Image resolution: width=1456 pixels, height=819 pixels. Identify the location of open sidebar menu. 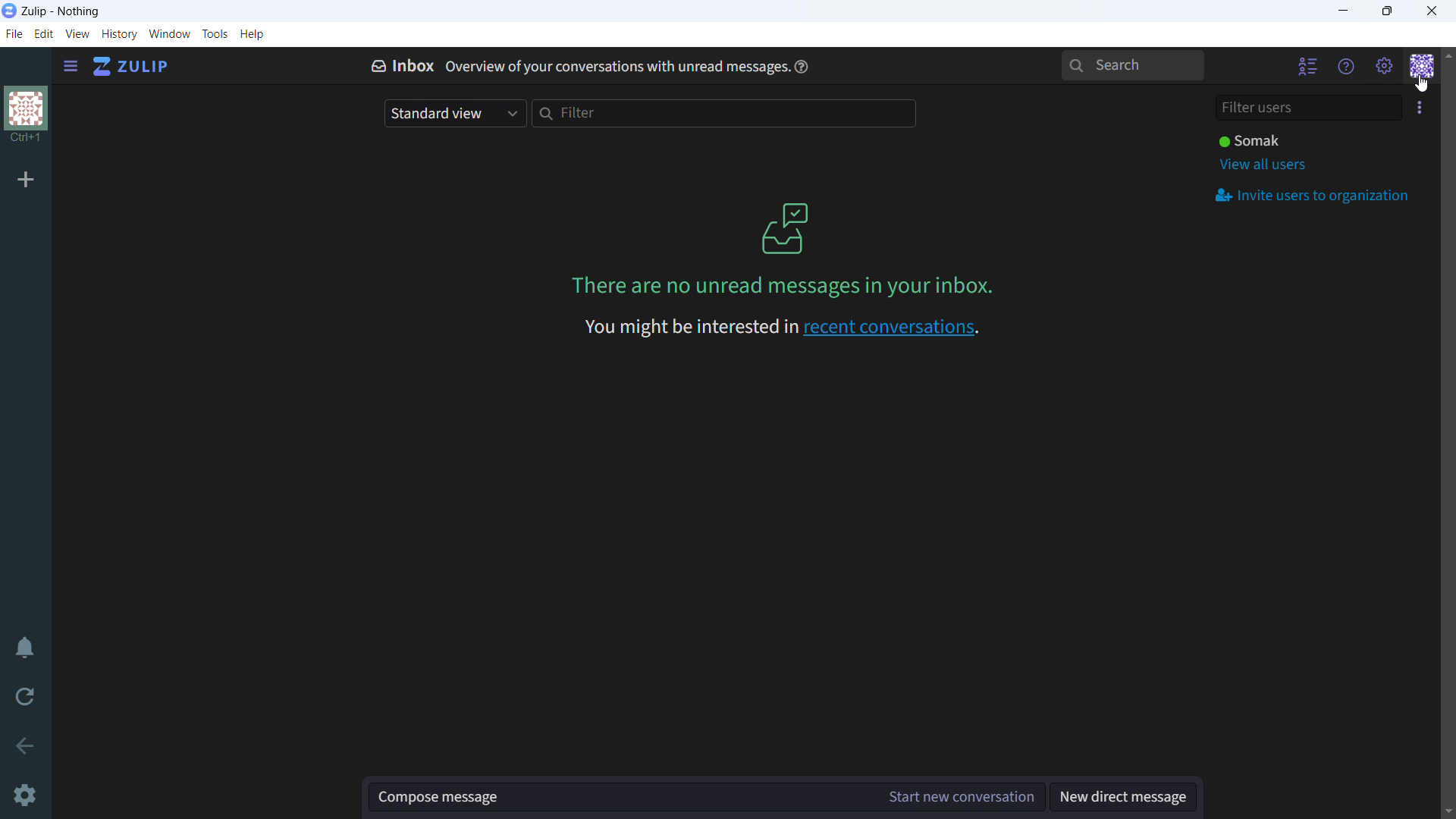
(69, 67).